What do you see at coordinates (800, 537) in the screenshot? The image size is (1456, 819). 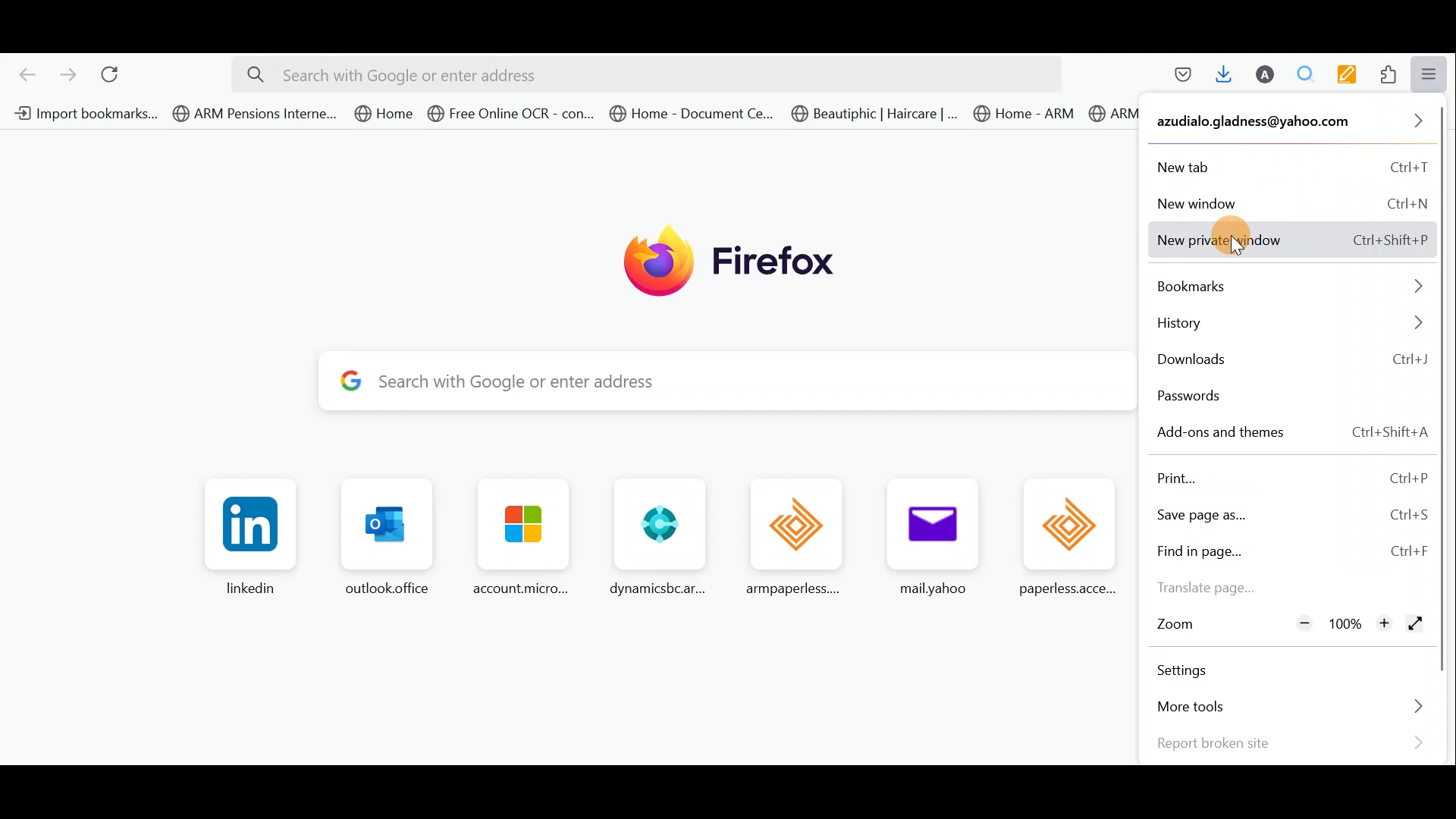 I see `armpaperless....` at bounding box center [800, 537].